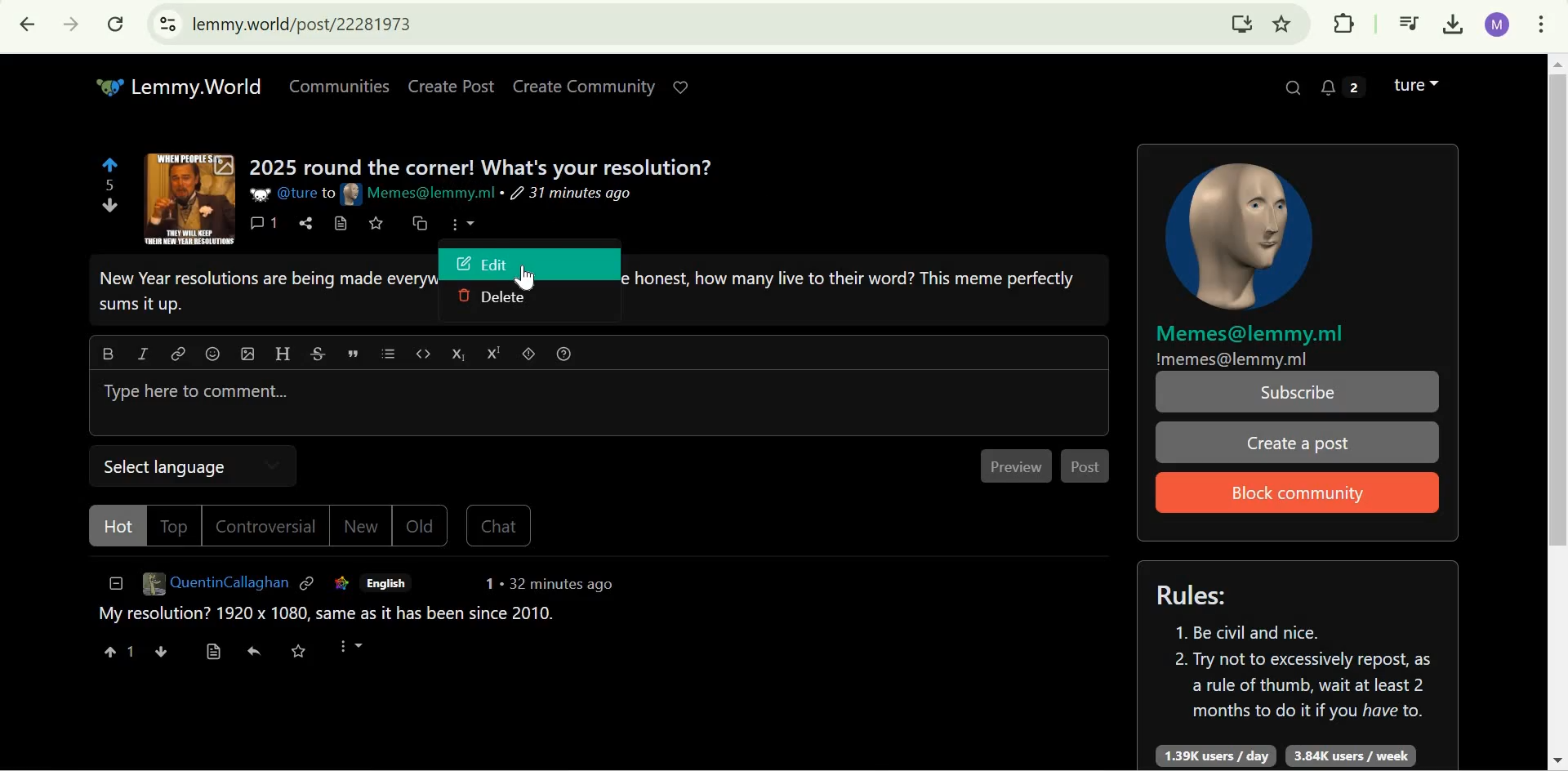 This screenshot has width=1568, height=771. What do you see at coordinates (213, 351) in the screenshot?
I see `emoji` at bounding box center [213, 351].